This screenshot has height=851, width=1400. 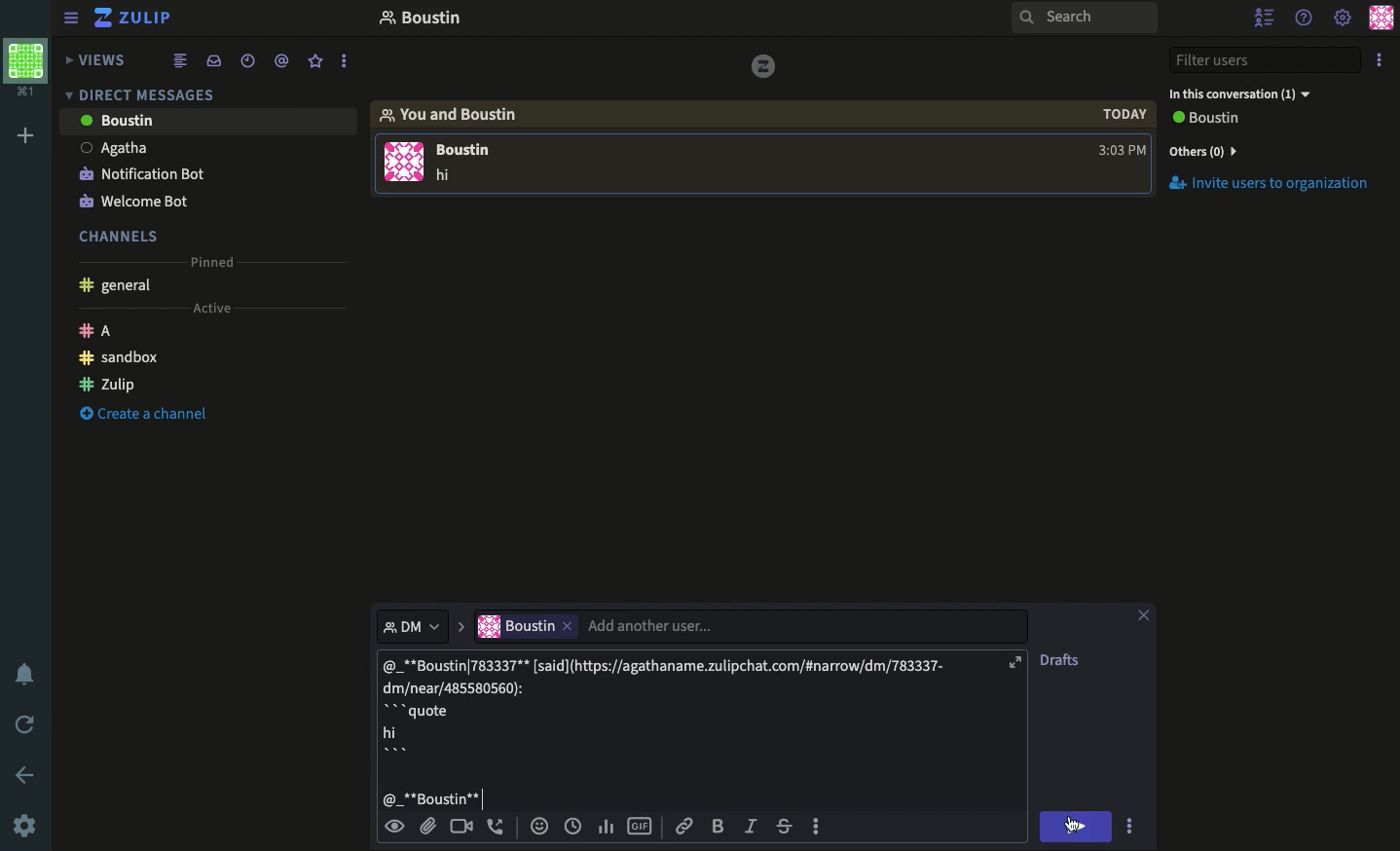 What do you see at coordinates (139, 197) in the screenshot?
I see `Welcome bot` at bounding box center [139, 197].